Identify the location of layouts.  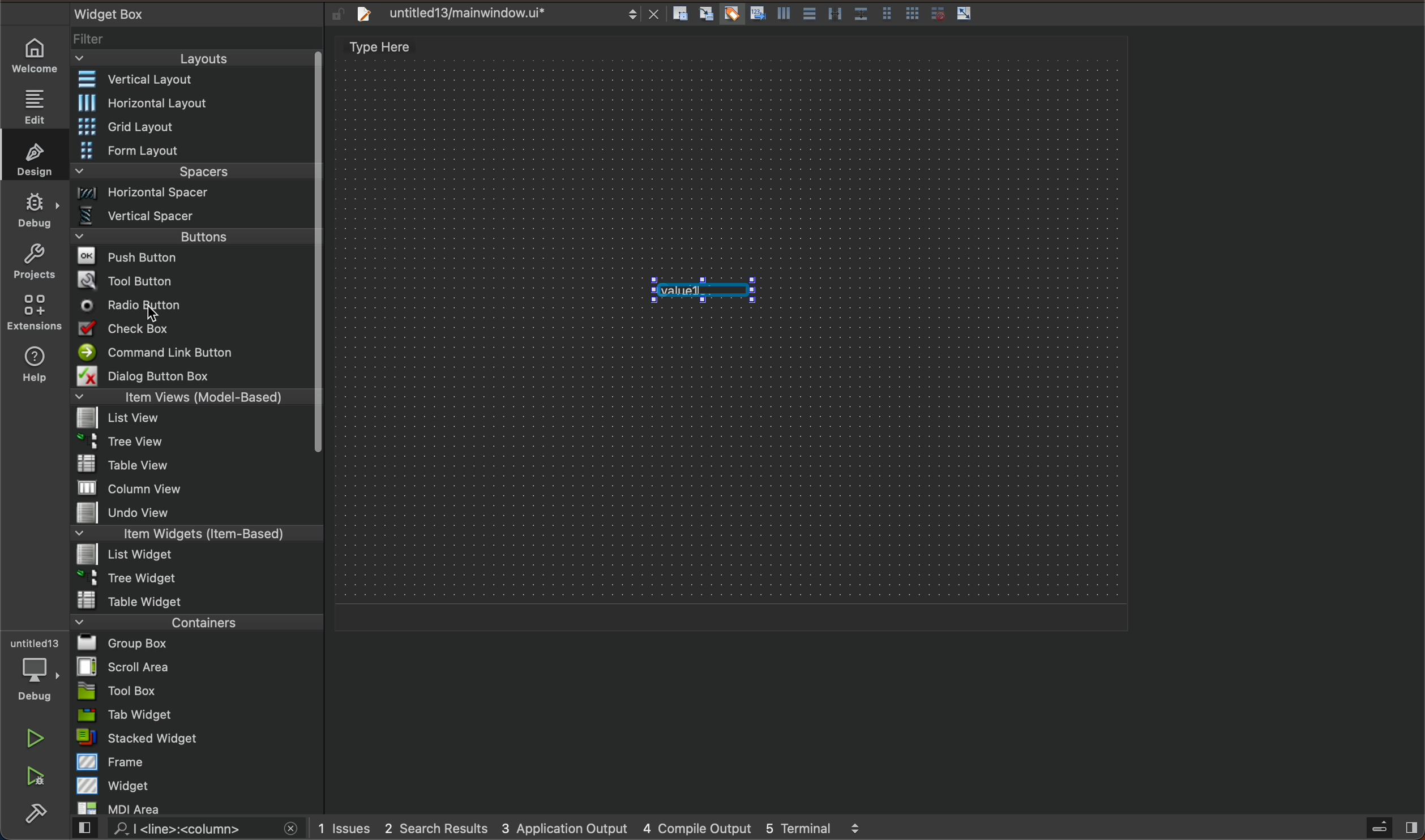
(192, 62).